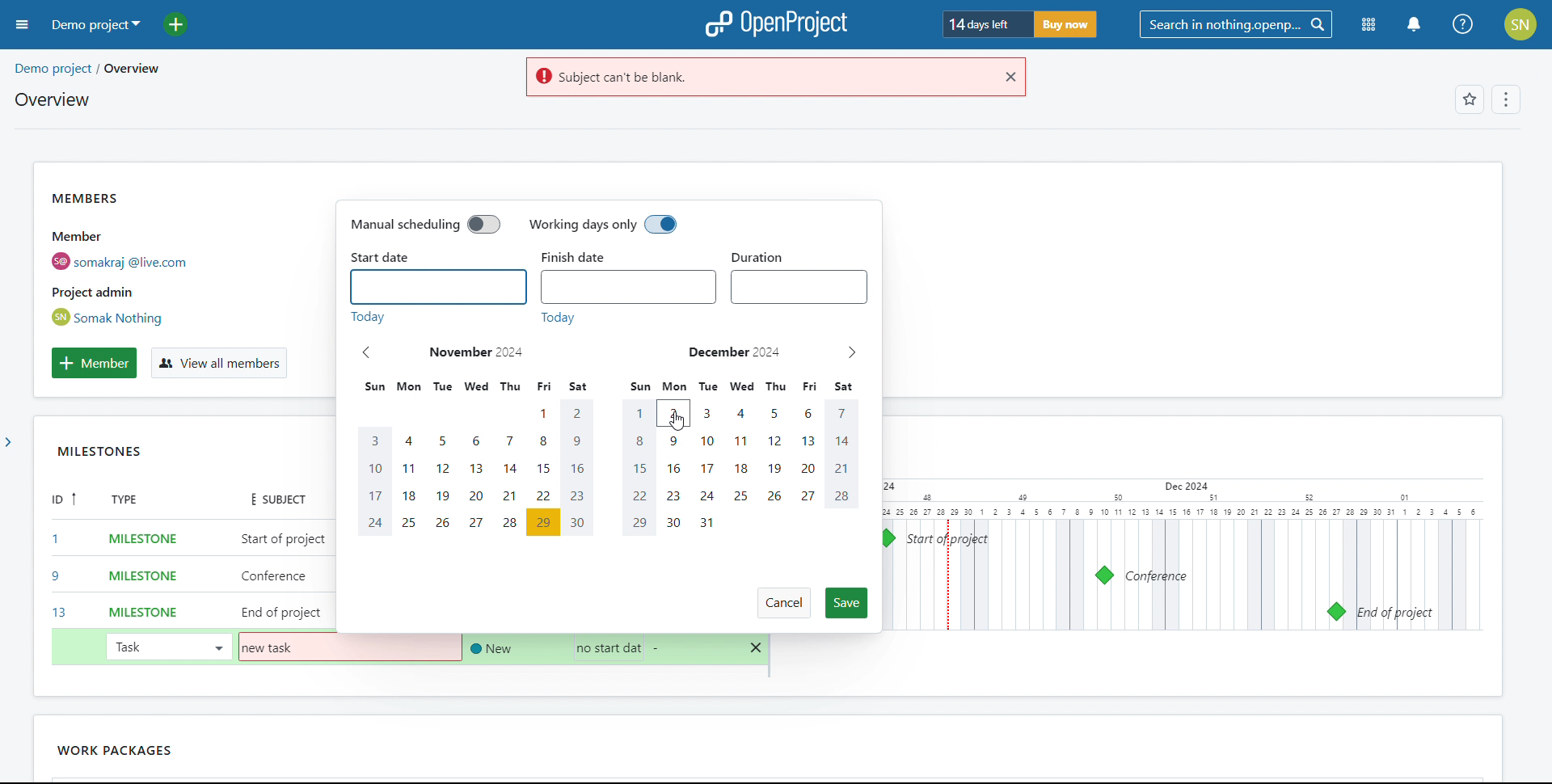 This screenshot has height=784, width=1552. What do you see at coordinates (94, 24) in the screenshot?
I see `demo project` at bounding box center [94, 24].